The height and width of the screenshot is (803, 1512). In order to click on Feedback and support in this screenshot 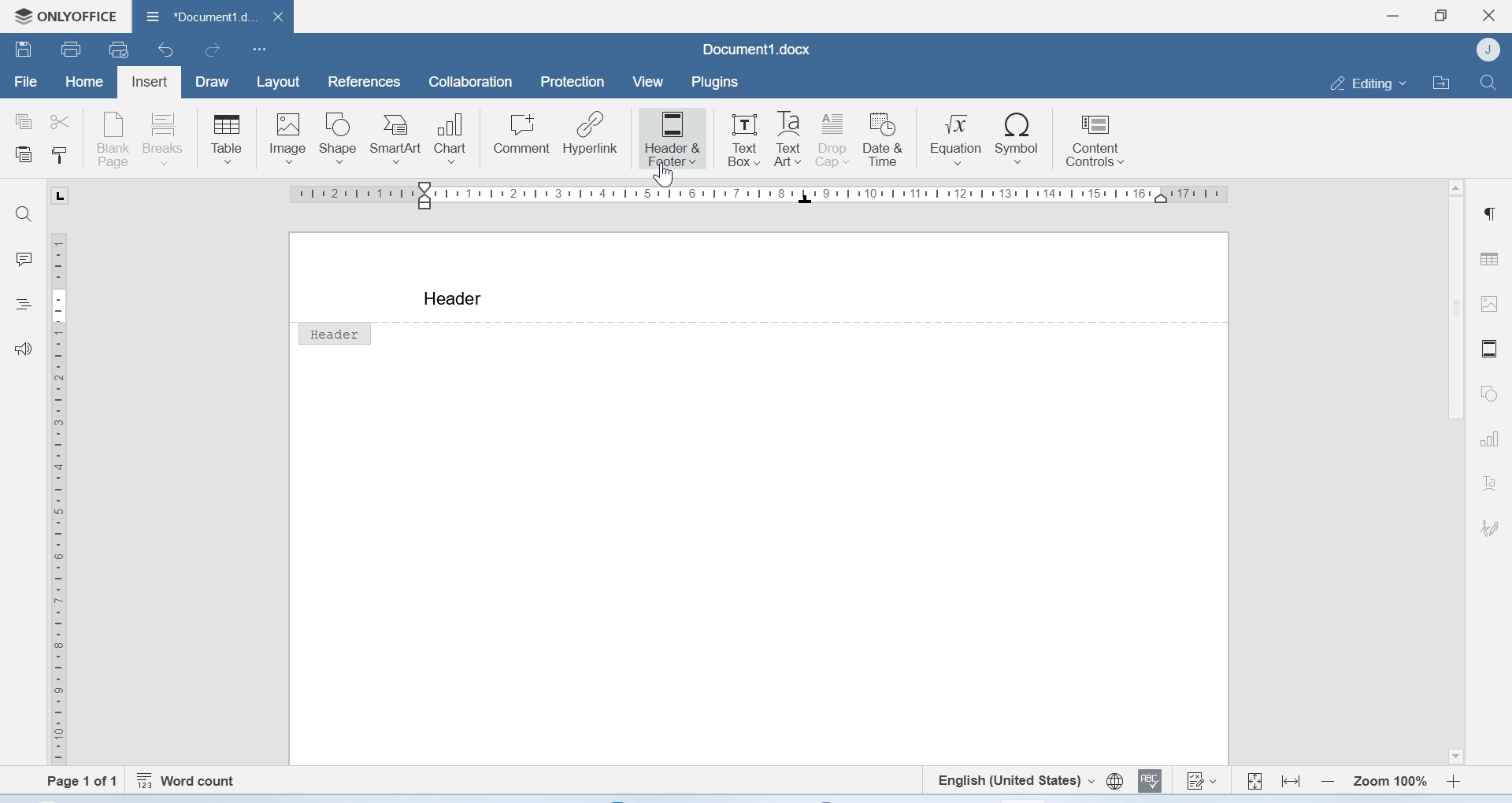, I will do `click(24, 348)`.